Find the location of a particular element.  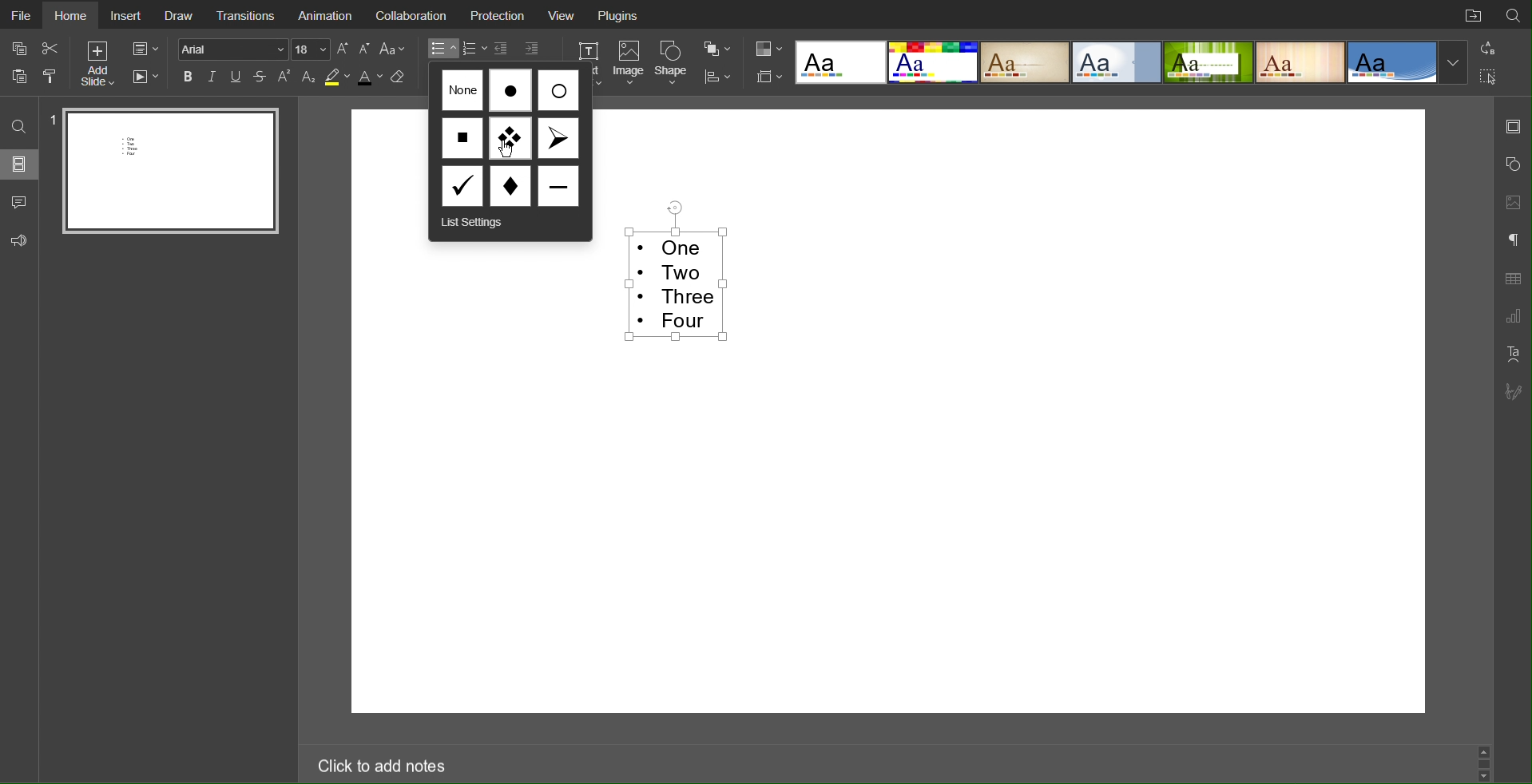

Colors is located at coordinates (768, 49).